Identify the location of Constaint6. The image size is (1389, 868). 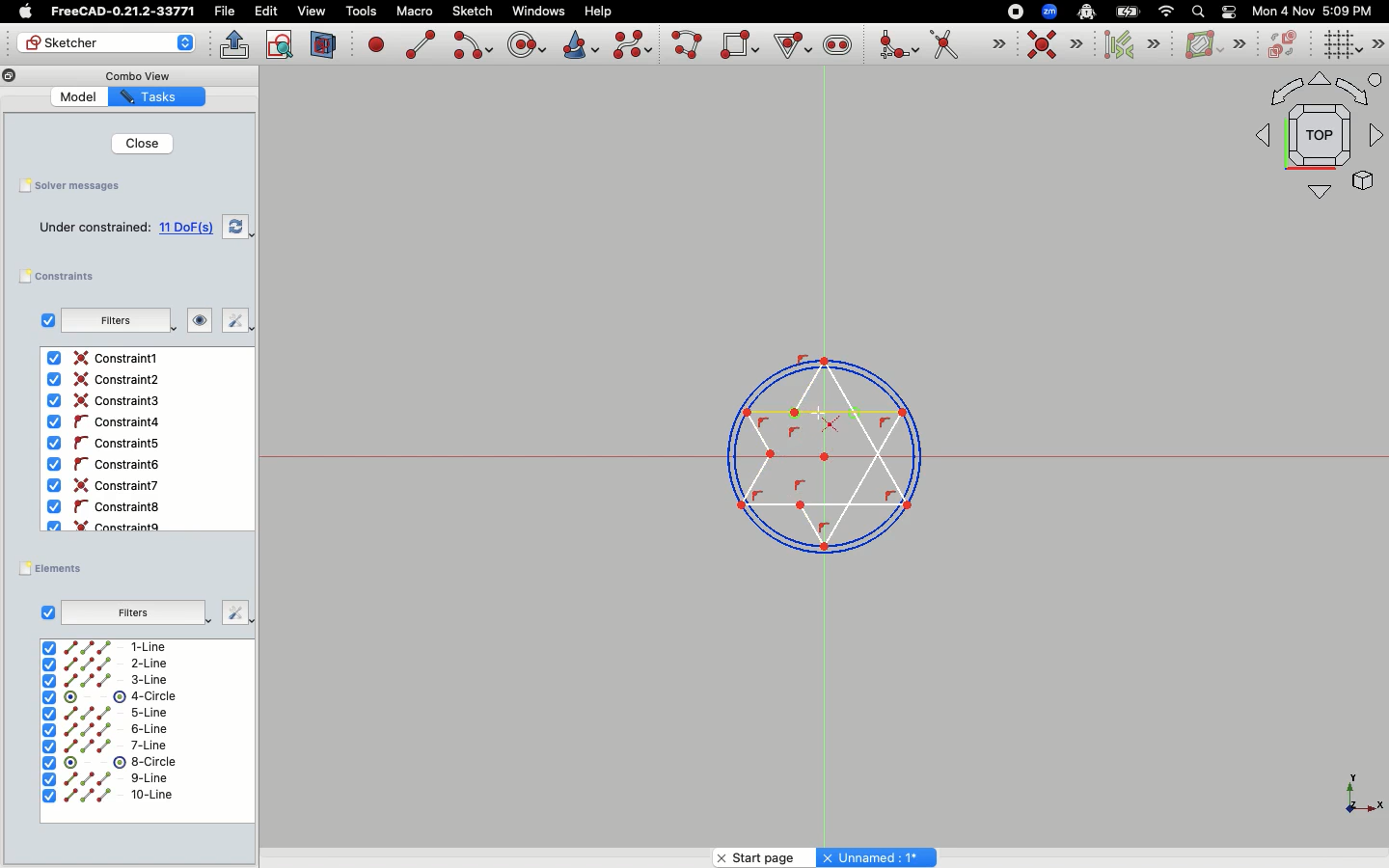
(107, 465).